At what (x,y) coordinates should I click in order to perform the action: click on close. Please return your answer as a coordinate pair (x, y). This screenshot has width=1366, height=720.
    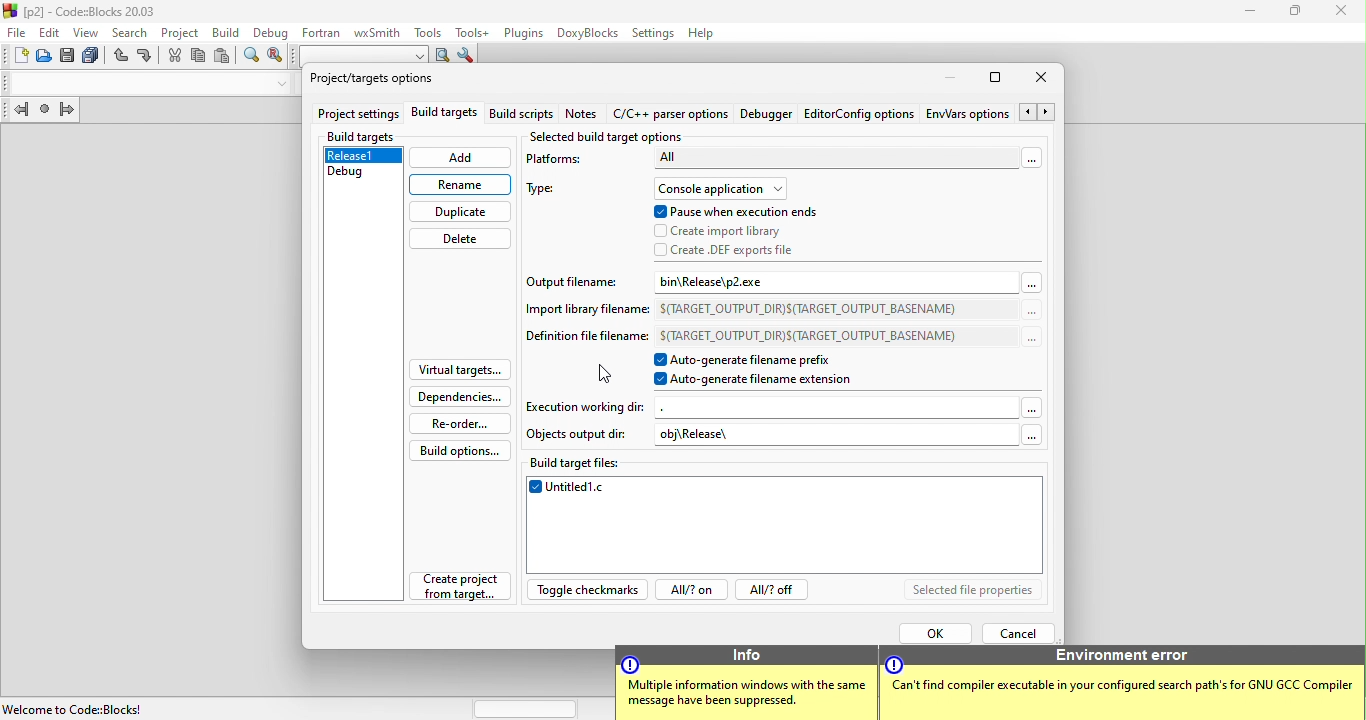
    Looking at the image, I should click on (1339, 12).